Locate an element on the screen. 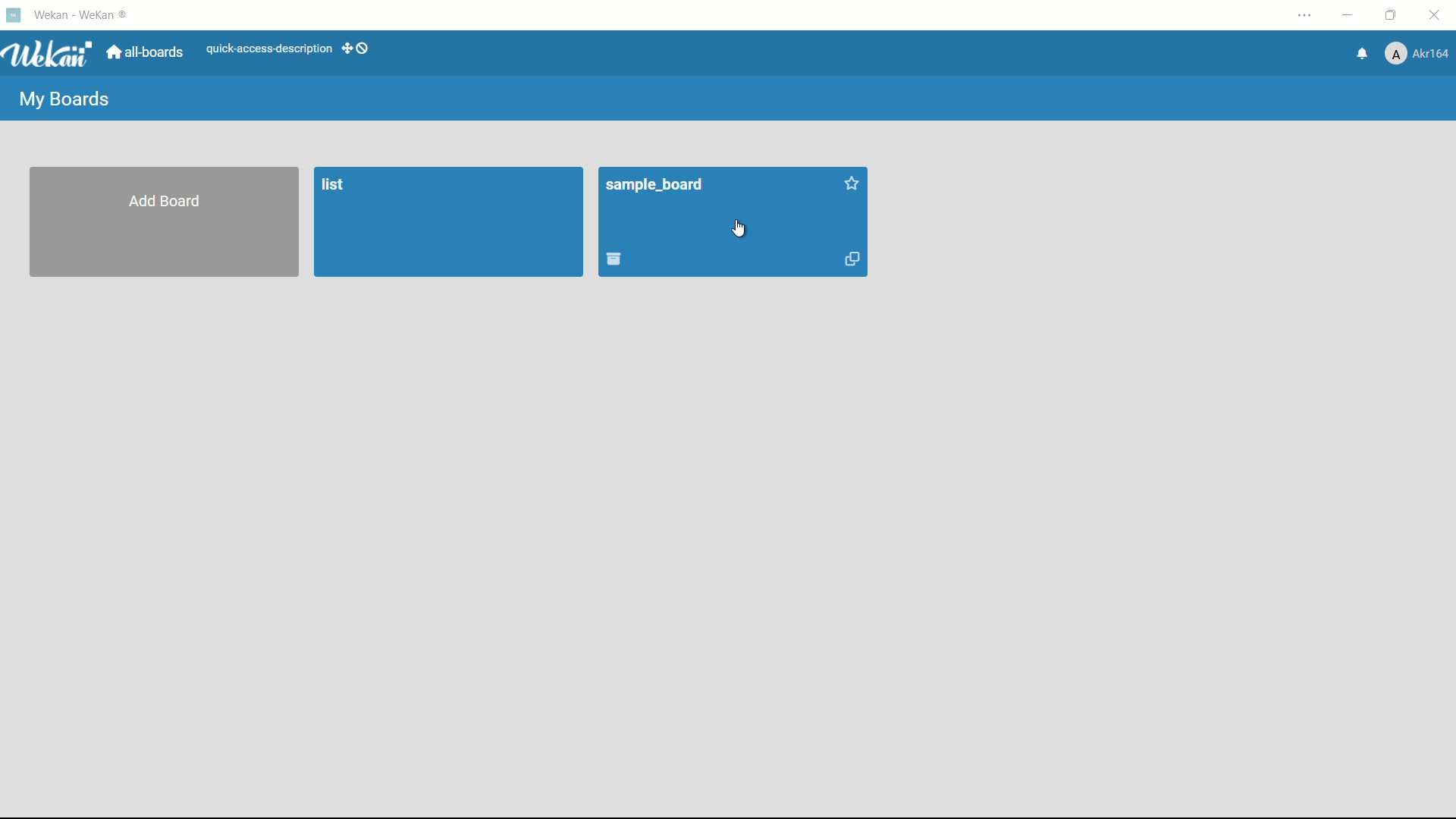 The width and height of the screenshot is (1456, 819). add star to this board is located at coordinates (852, 186).